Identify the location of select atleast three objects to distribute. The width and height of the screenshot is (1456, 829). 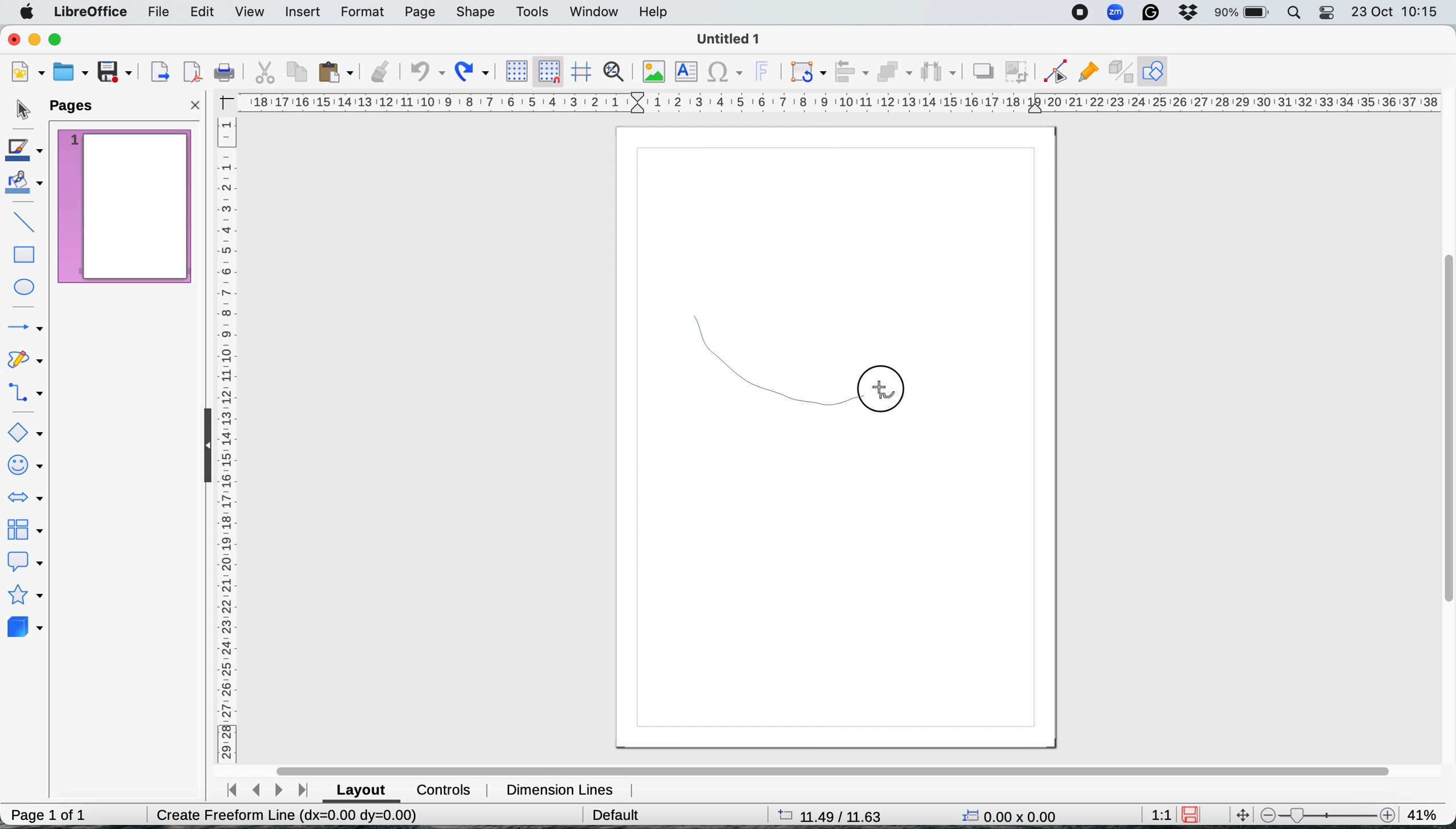
(938, 72).